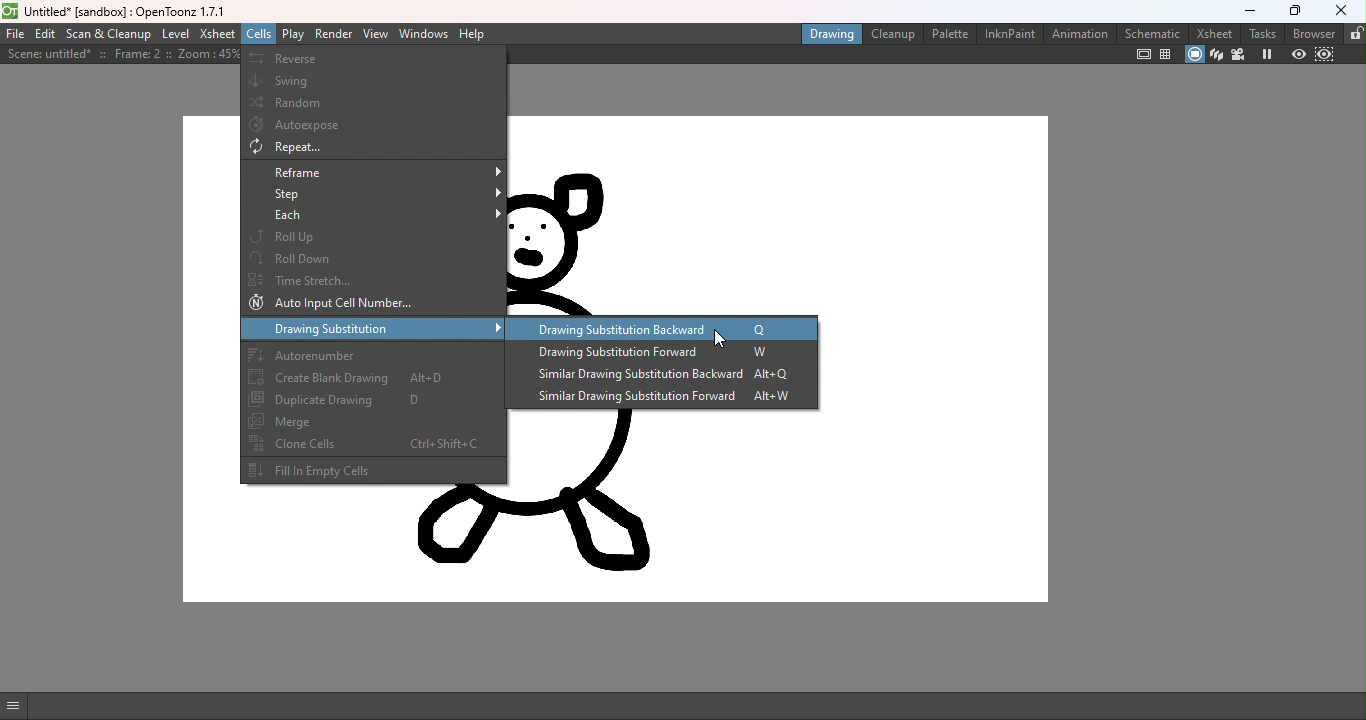 The width and height of the screenshot is (1366, 720). Describe the element at coordinates (375, 195) in the screenshot. I see `Step` at that location.